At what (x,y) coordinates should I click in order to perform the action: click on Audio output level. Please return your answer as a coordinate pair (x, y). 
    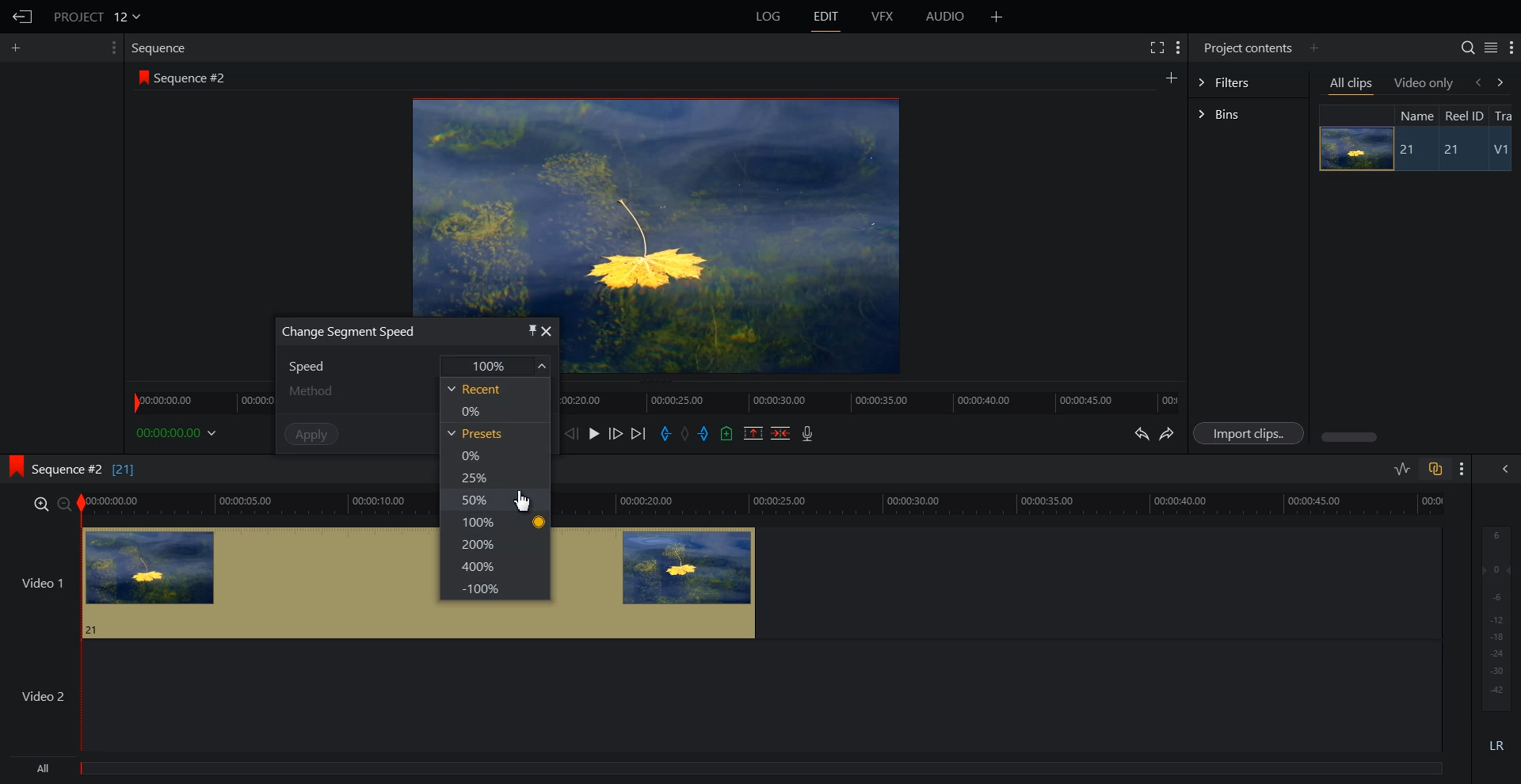
    Looking at the image, I should click on (1493, 616).